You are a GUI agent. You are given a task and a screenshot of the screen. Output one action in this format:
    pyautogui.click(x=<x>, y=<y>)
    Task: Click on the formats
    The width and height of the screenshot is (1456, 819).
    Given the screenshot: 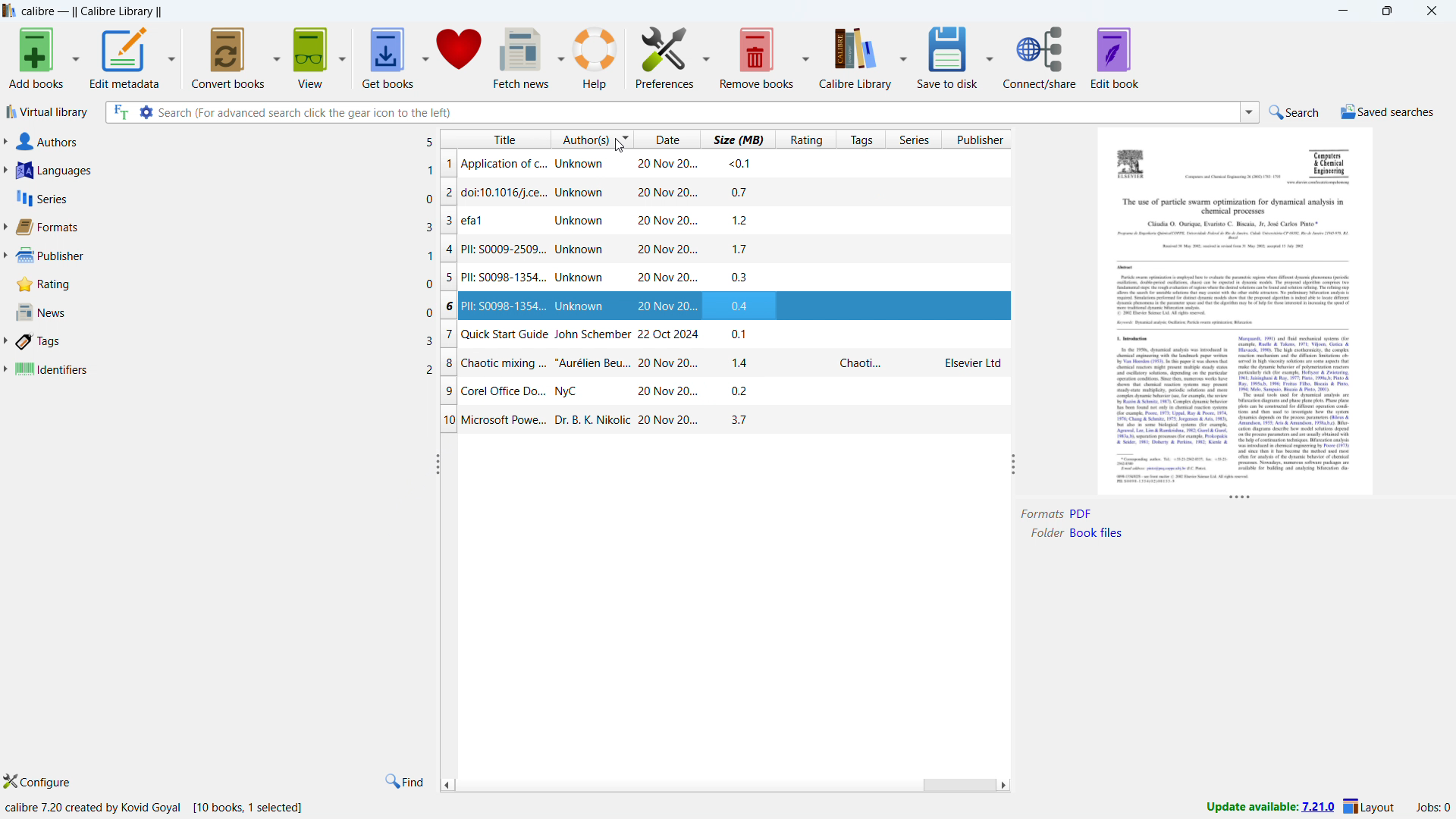 What is the action you would take?
    pyautogui.click(x=224, y=228)
    